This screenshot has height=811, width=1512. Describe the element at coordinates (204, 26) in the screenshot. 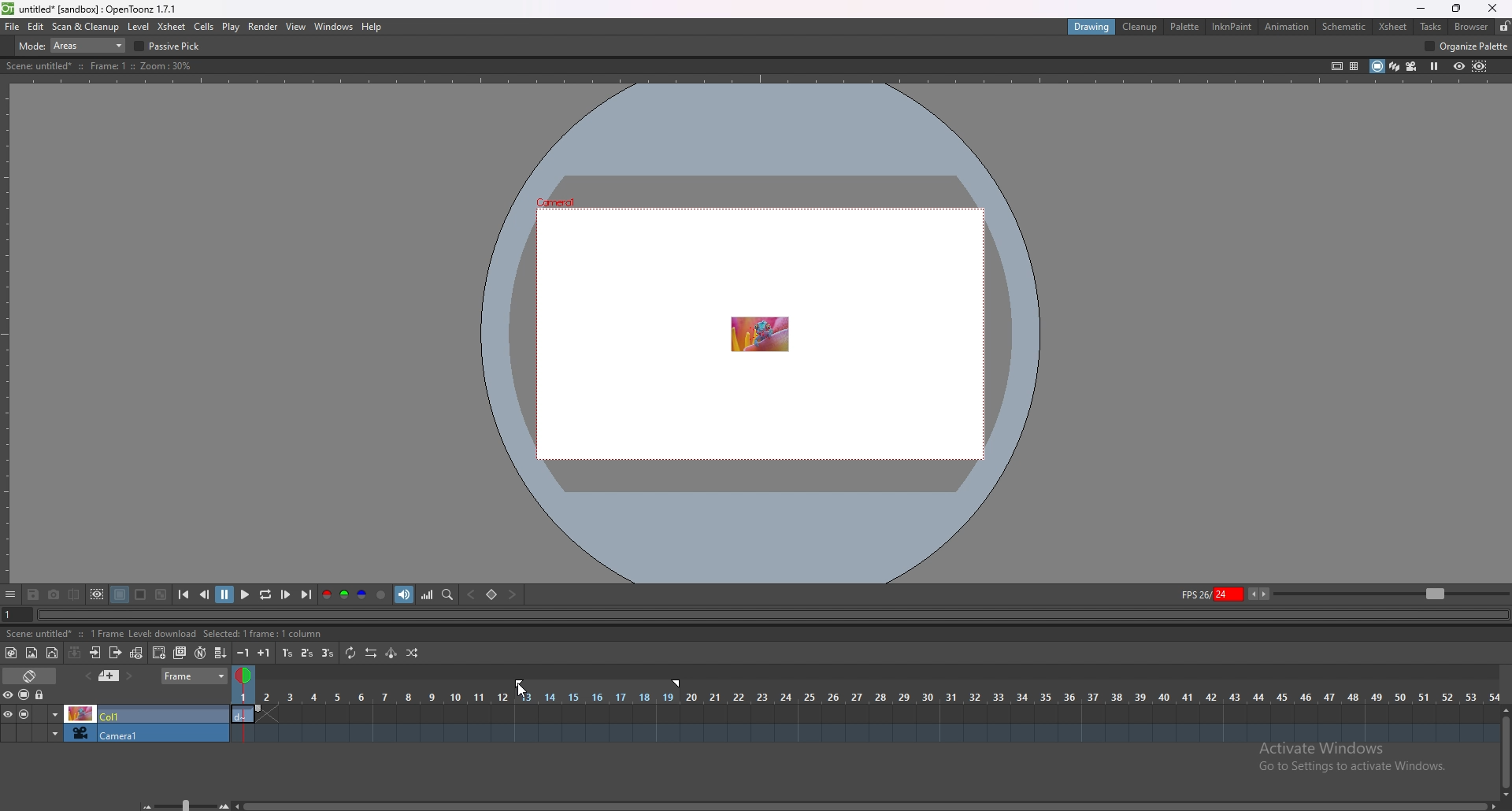

I see `cells` at that location.